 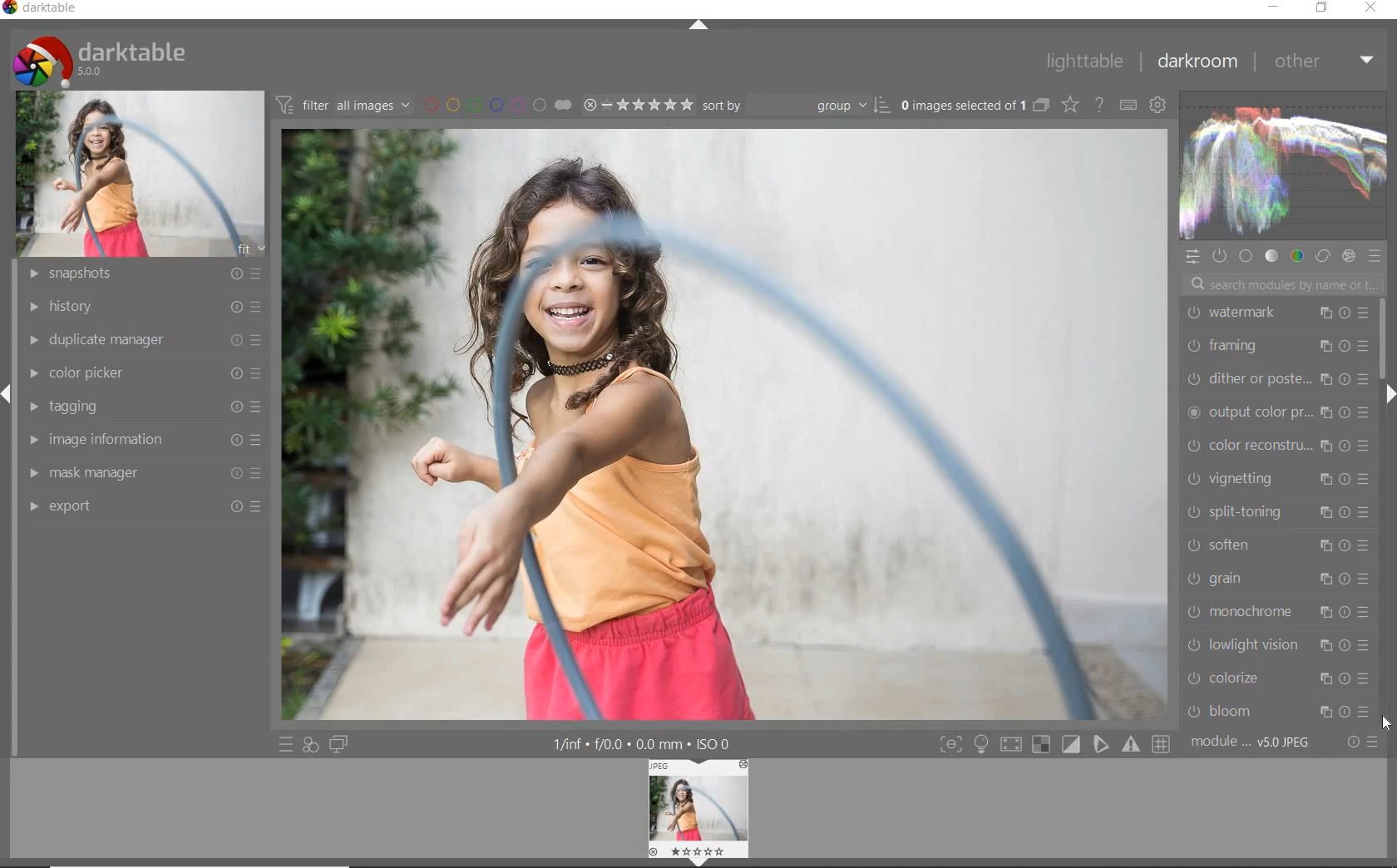 I want to click on toggle mode , so click(x=1071, y=744).